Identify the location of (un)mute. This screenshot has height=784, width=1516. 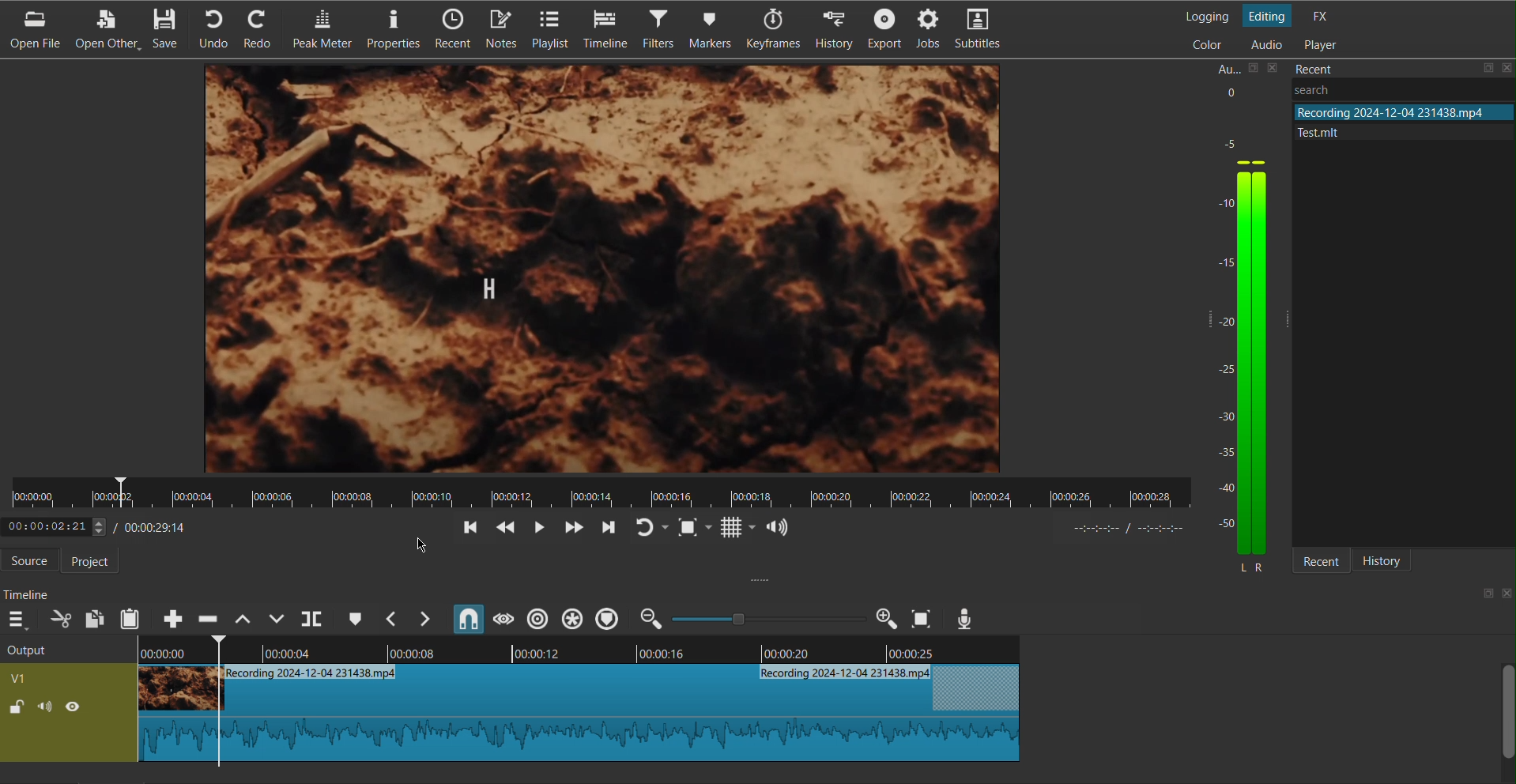
(47, 705).